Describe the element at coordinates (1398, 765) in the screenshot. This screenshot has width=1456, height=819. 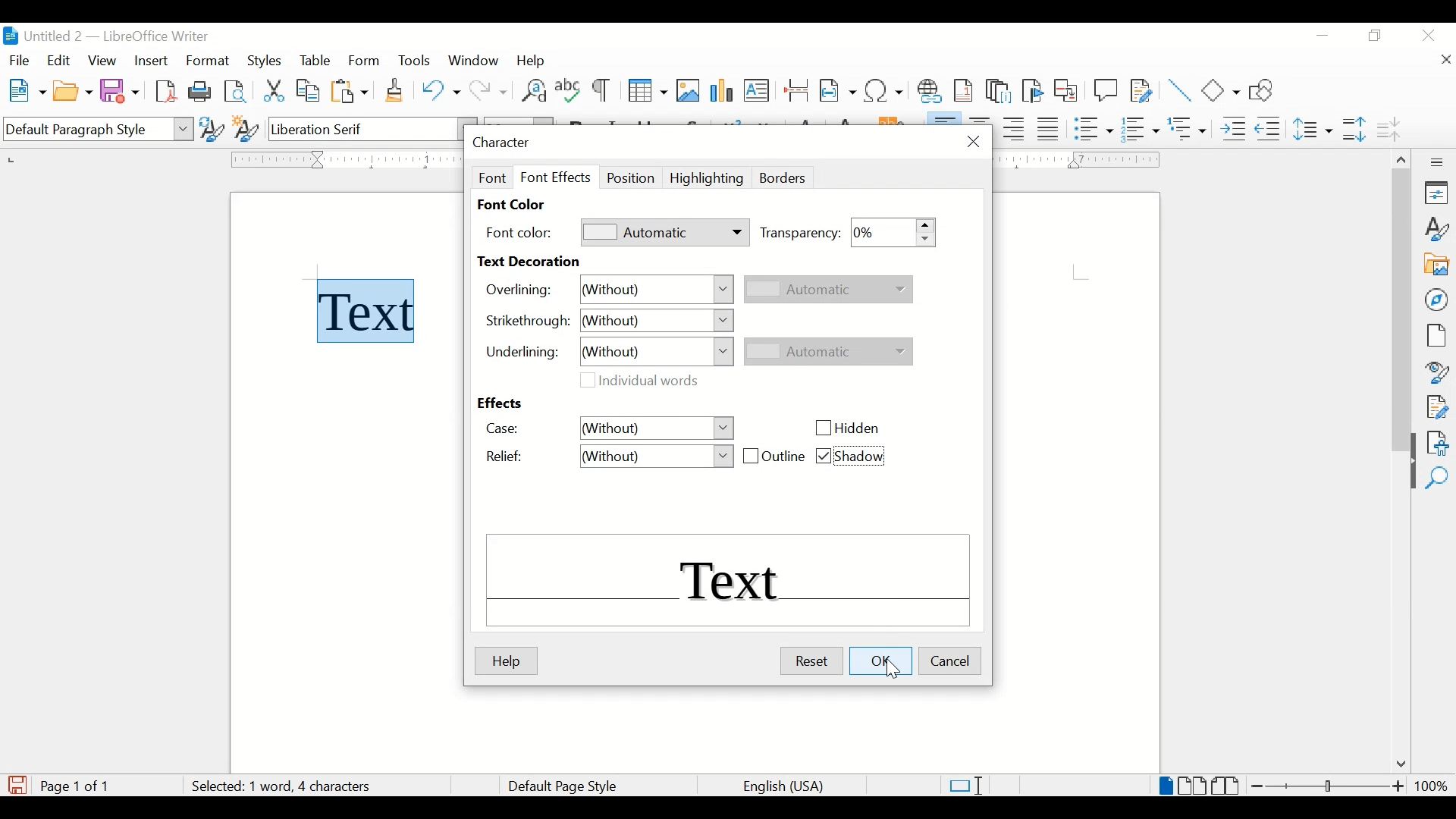
I see `scroll down arrow` at that location.